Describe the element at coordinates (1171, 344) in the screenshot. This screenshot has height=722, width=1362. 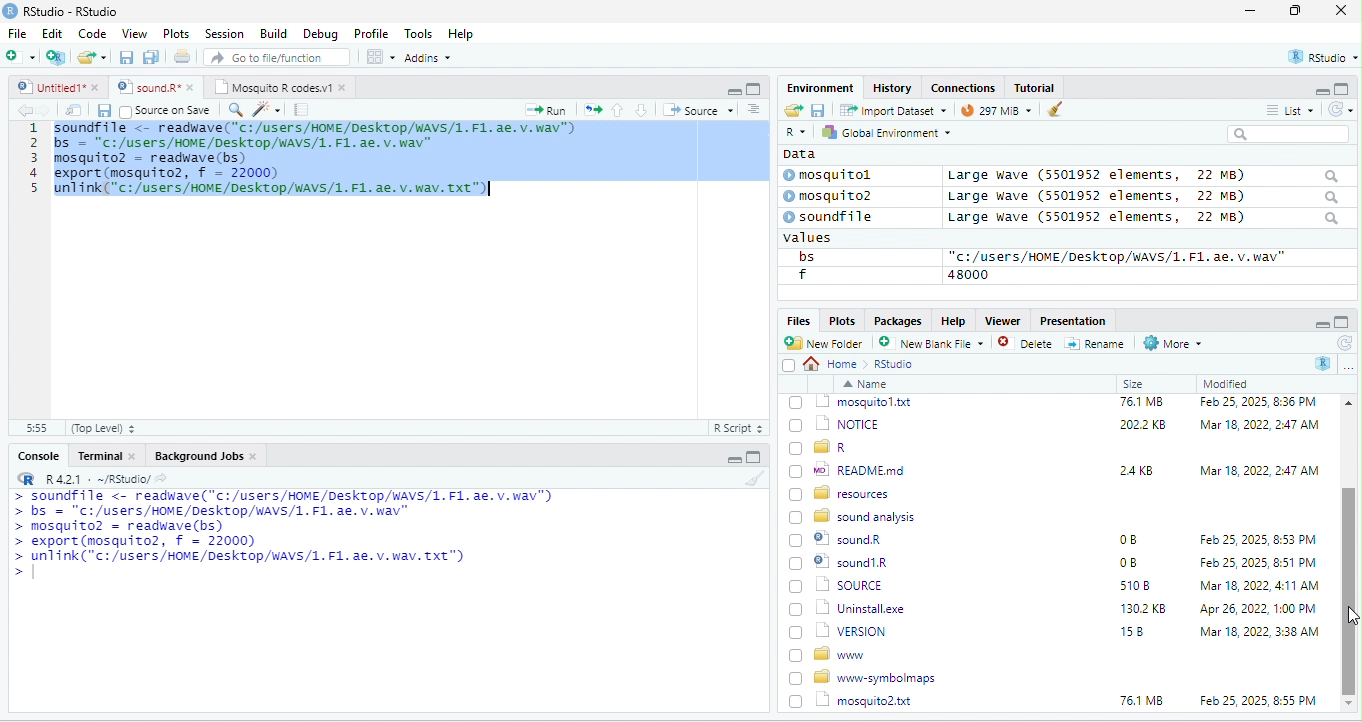
I see ` More ` at that location.